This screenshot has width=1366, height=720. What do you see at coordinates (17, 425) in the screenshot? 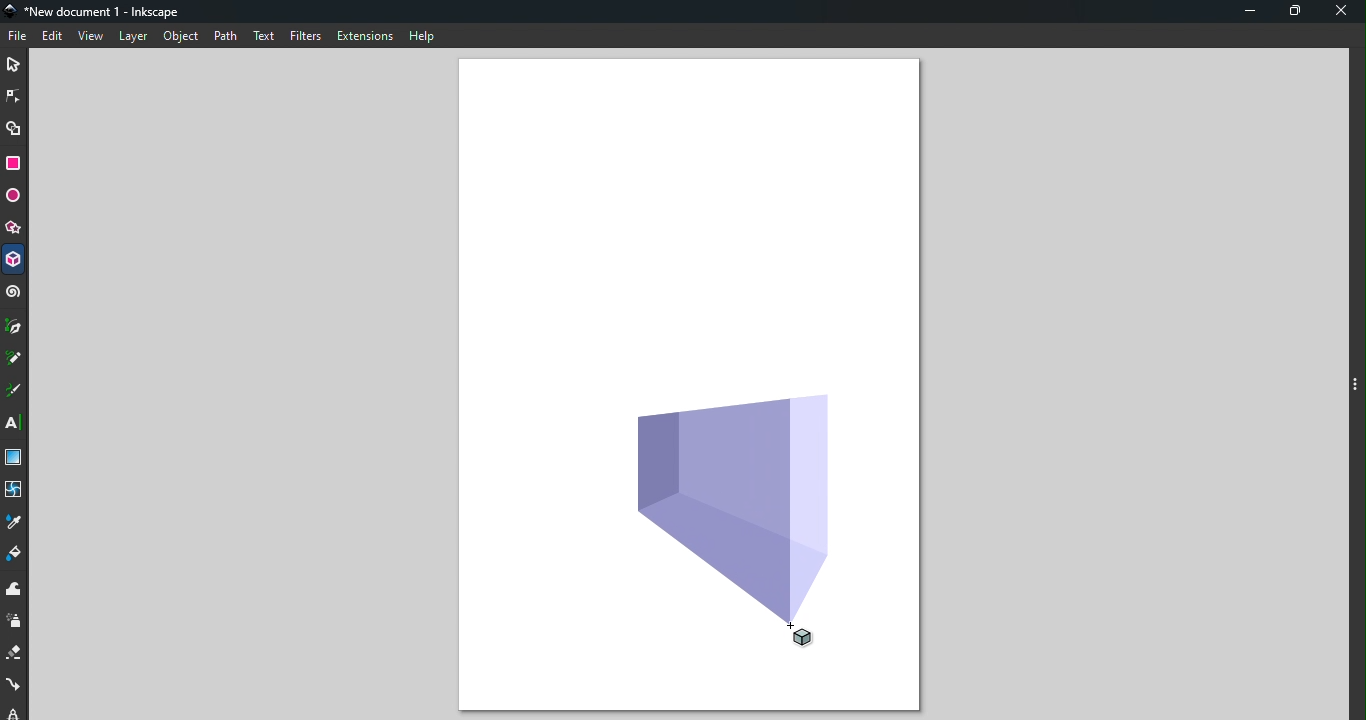
I see `Text tool` at bounding box center [17, 425].